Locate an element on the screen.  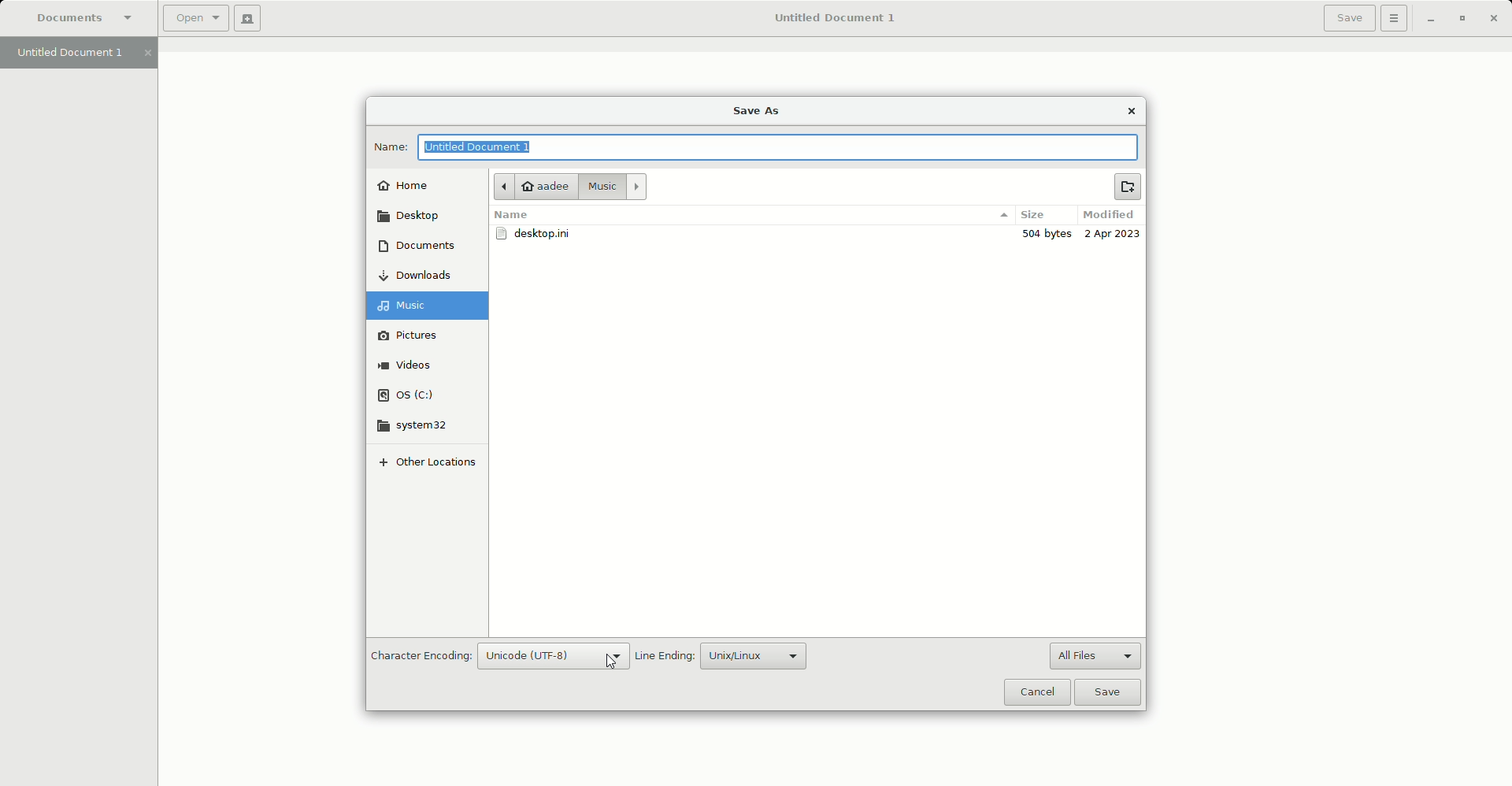
File name is located at coordinates (786, 146).